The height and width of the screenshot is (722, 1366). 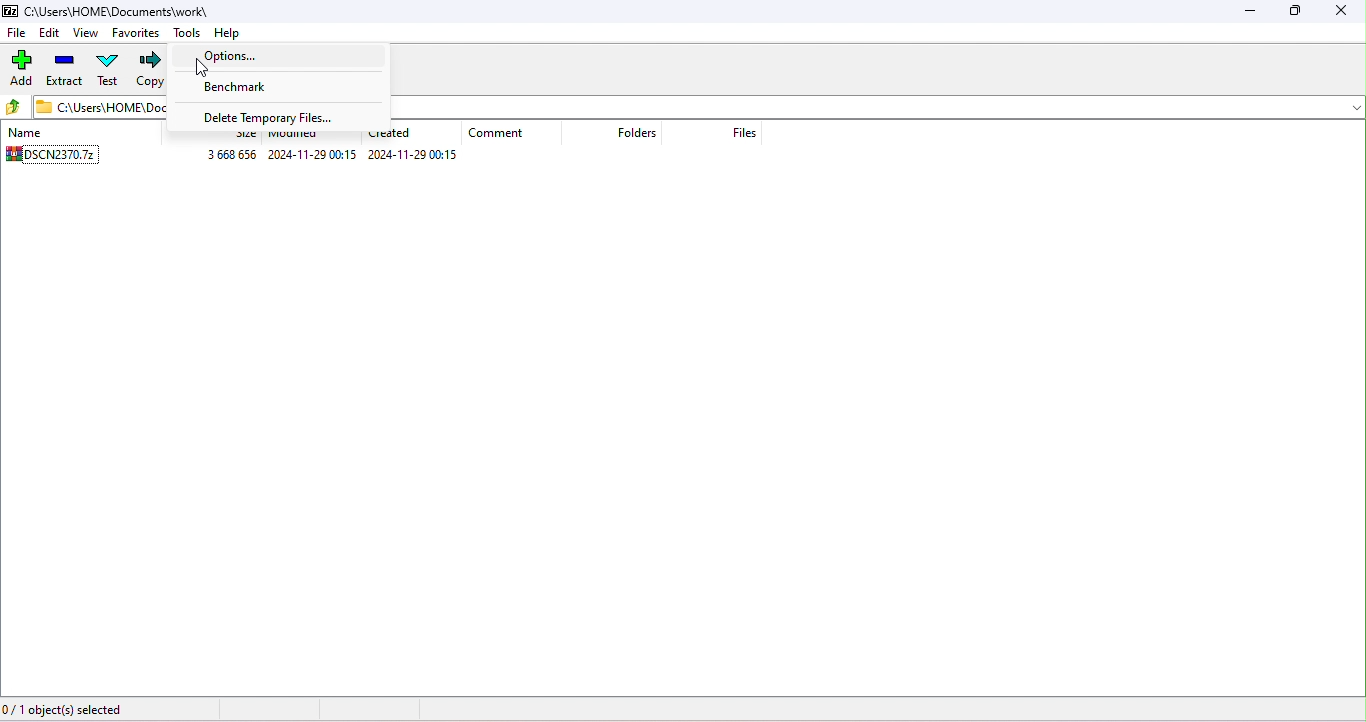 I want to click on delete temporary files, so click(x=266, y=116).